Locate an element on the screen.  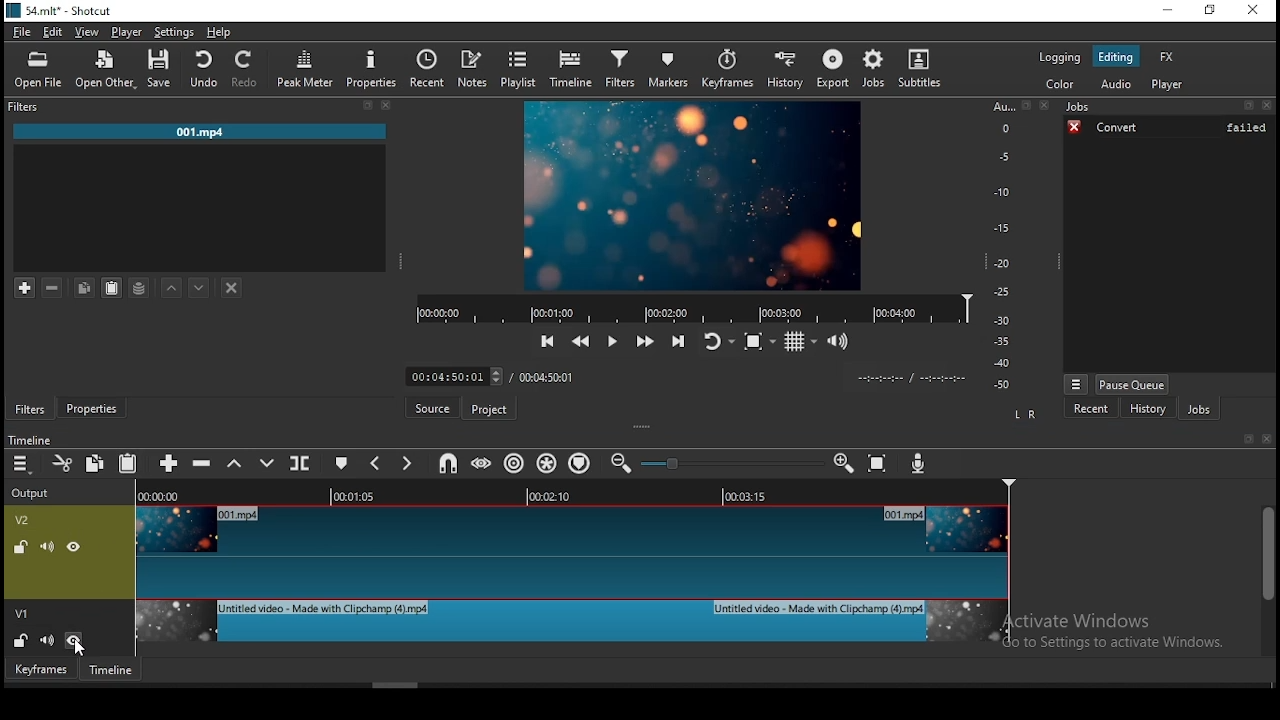
next marker is located at coordinates (403, 464).